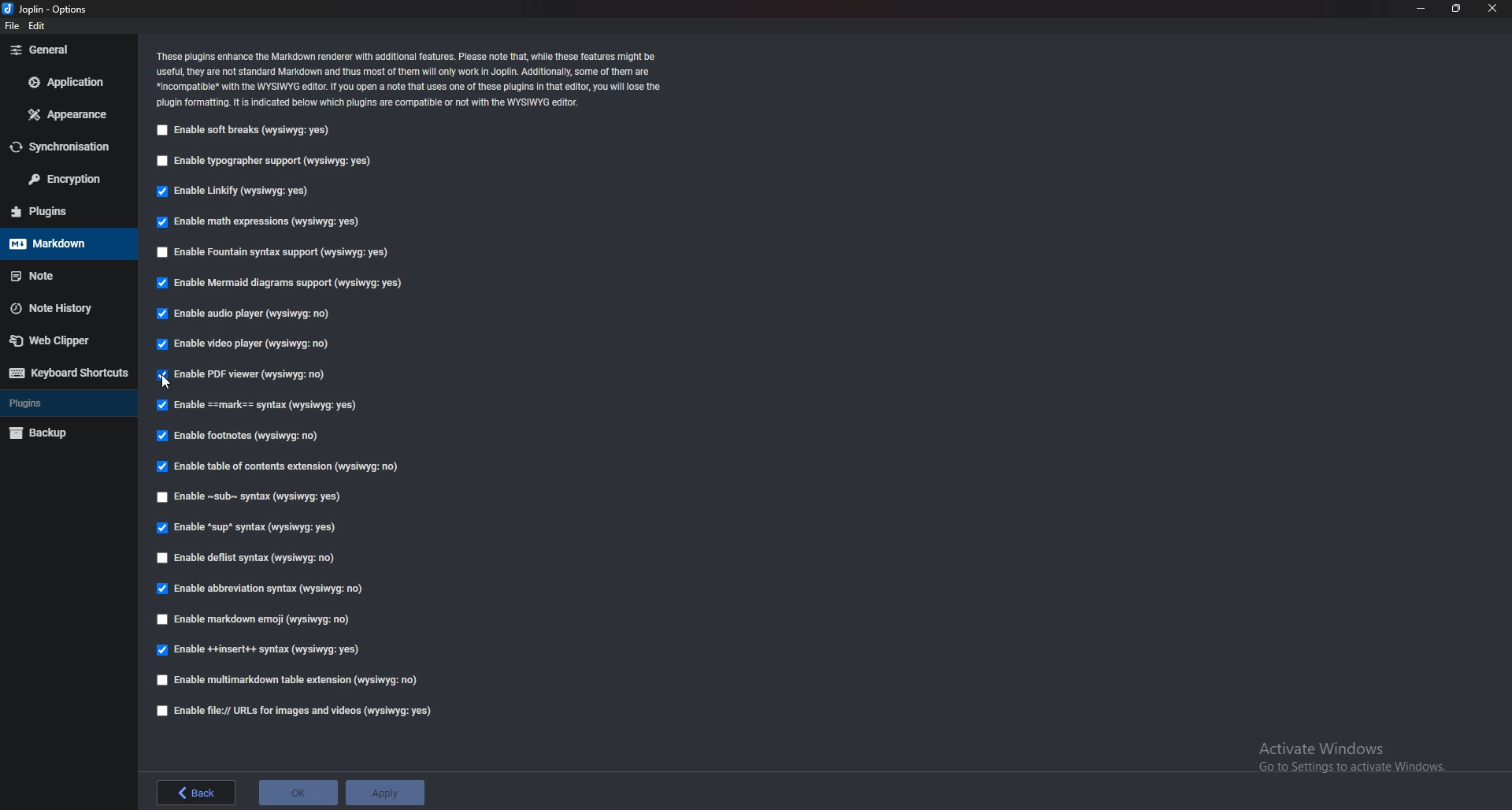 This screenshot has height=810, width=1512. Describe the element at coordinates (241, 346) in the screenshot. I see `enable video player` at that location.